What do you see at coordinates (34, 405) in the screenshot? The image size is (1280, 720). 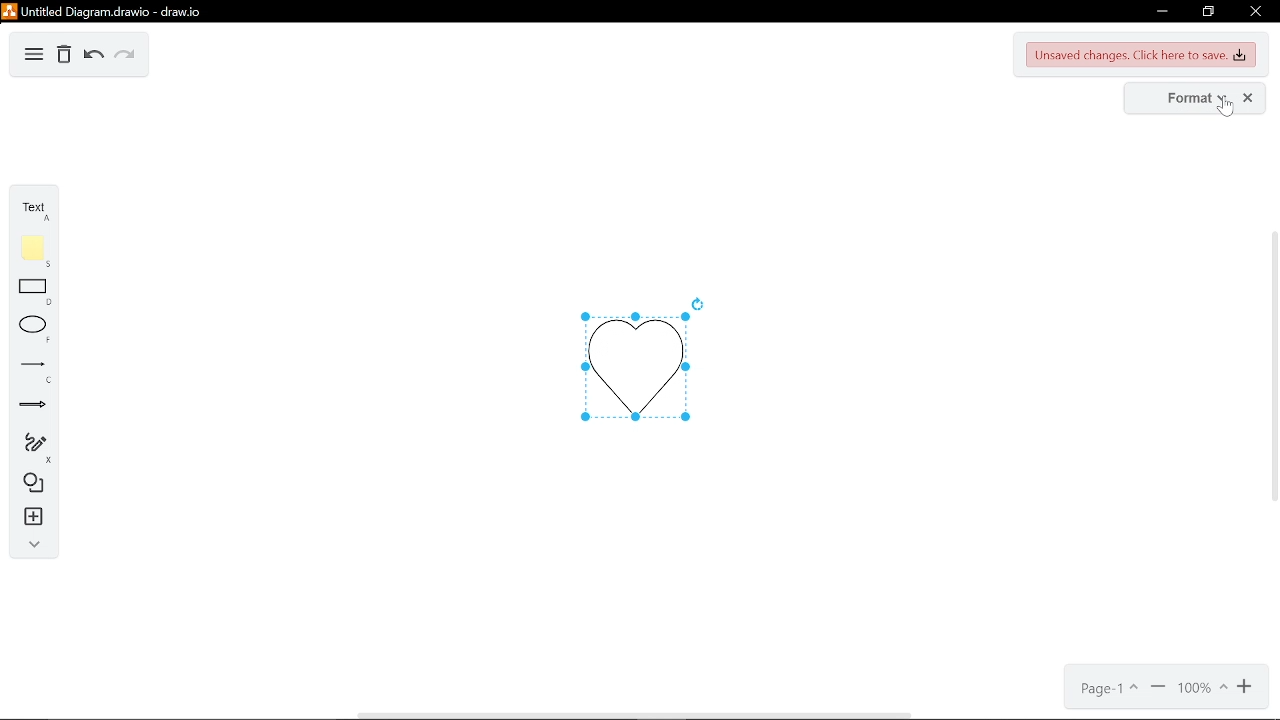 I see `arrows` at bounding box center [34, 405].